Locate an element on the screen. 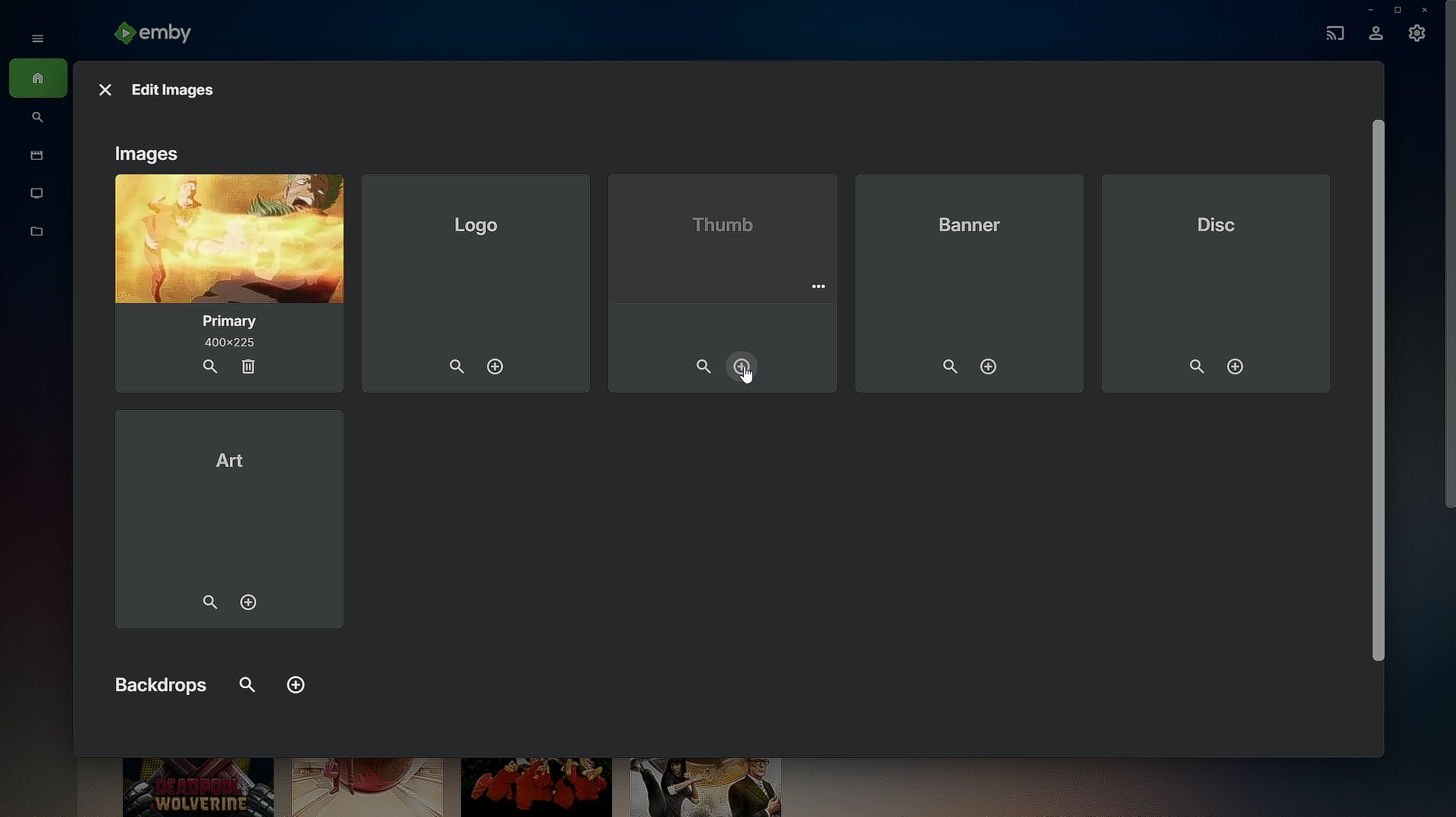   is located at coordinates (745, 380).